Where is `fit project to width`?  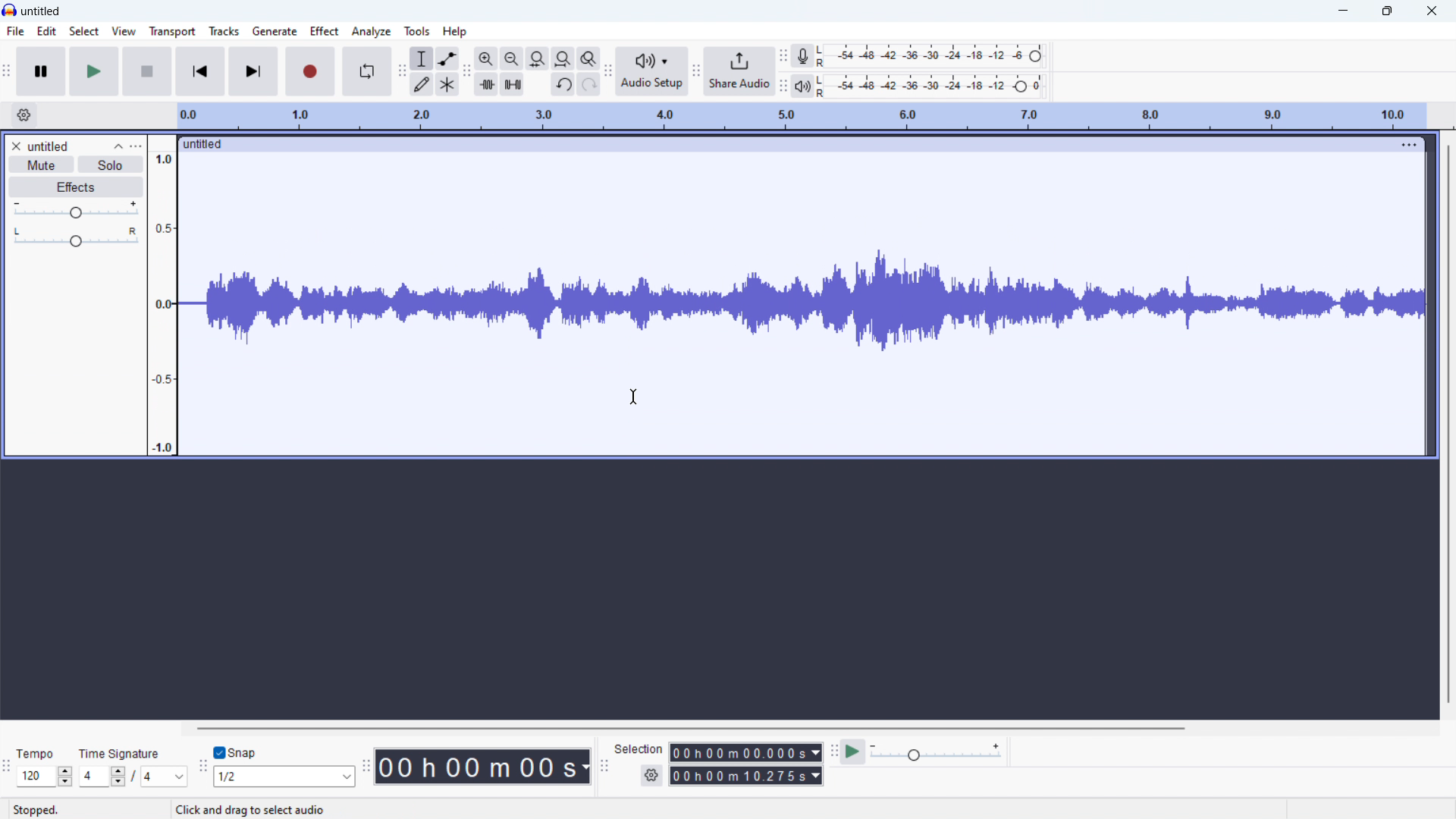 fit project to width is located at coordinates (563, 58).